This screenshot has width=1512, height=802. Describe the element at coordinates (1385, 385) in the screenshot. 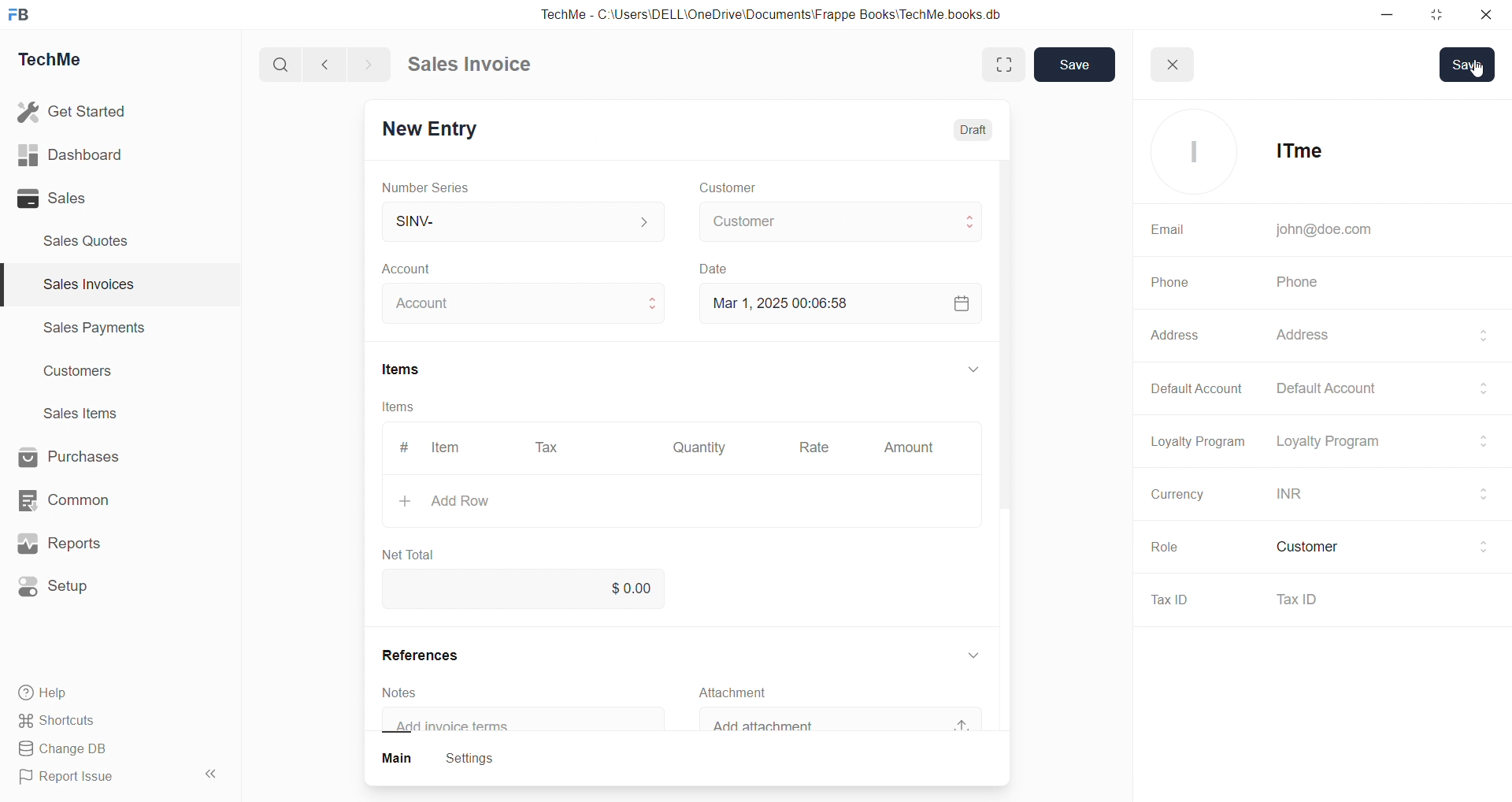

I see `Default Account` at that location.